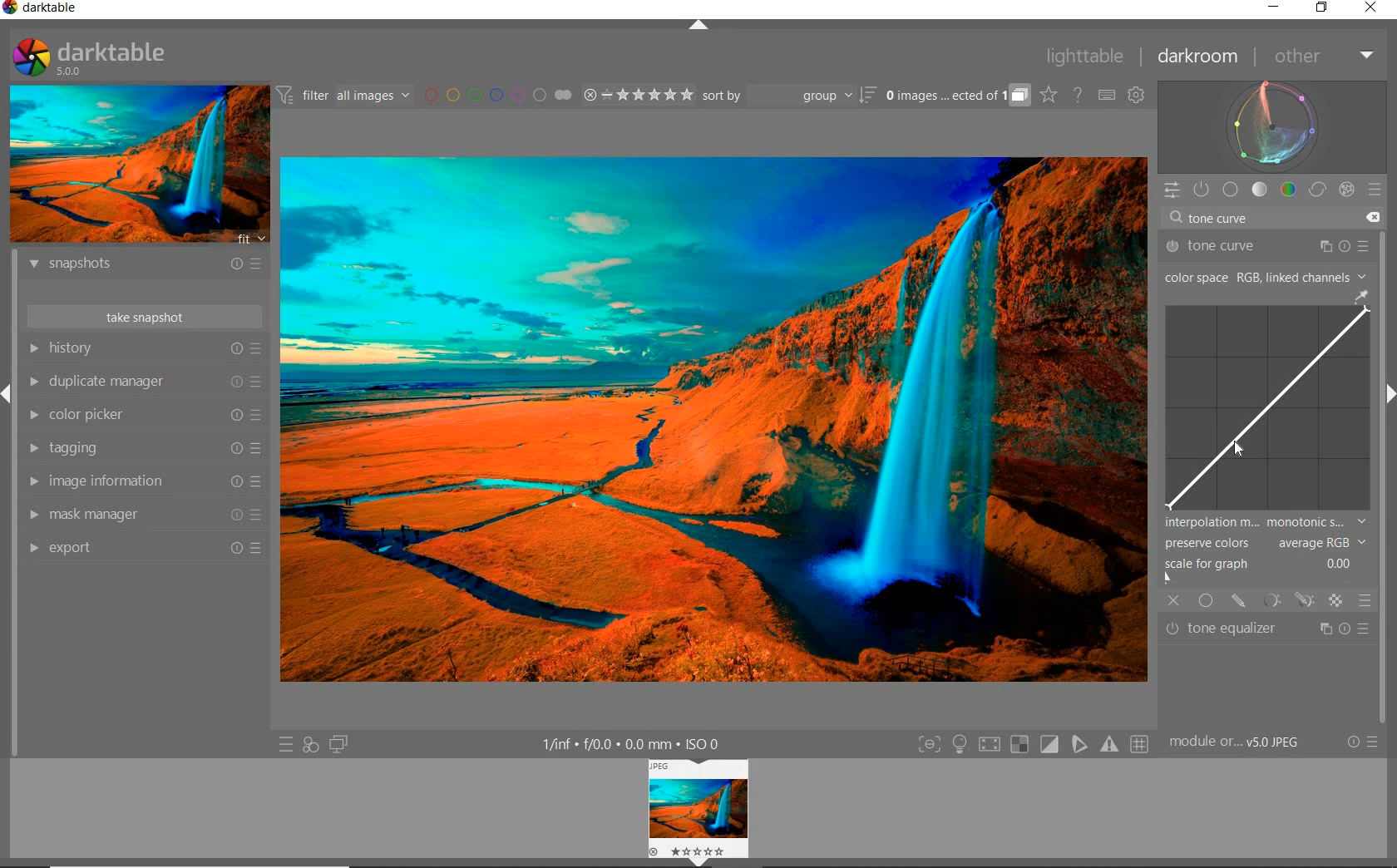 The width and height of the screenshot is (1397, 868). I want to click on export, so click(146, 550).